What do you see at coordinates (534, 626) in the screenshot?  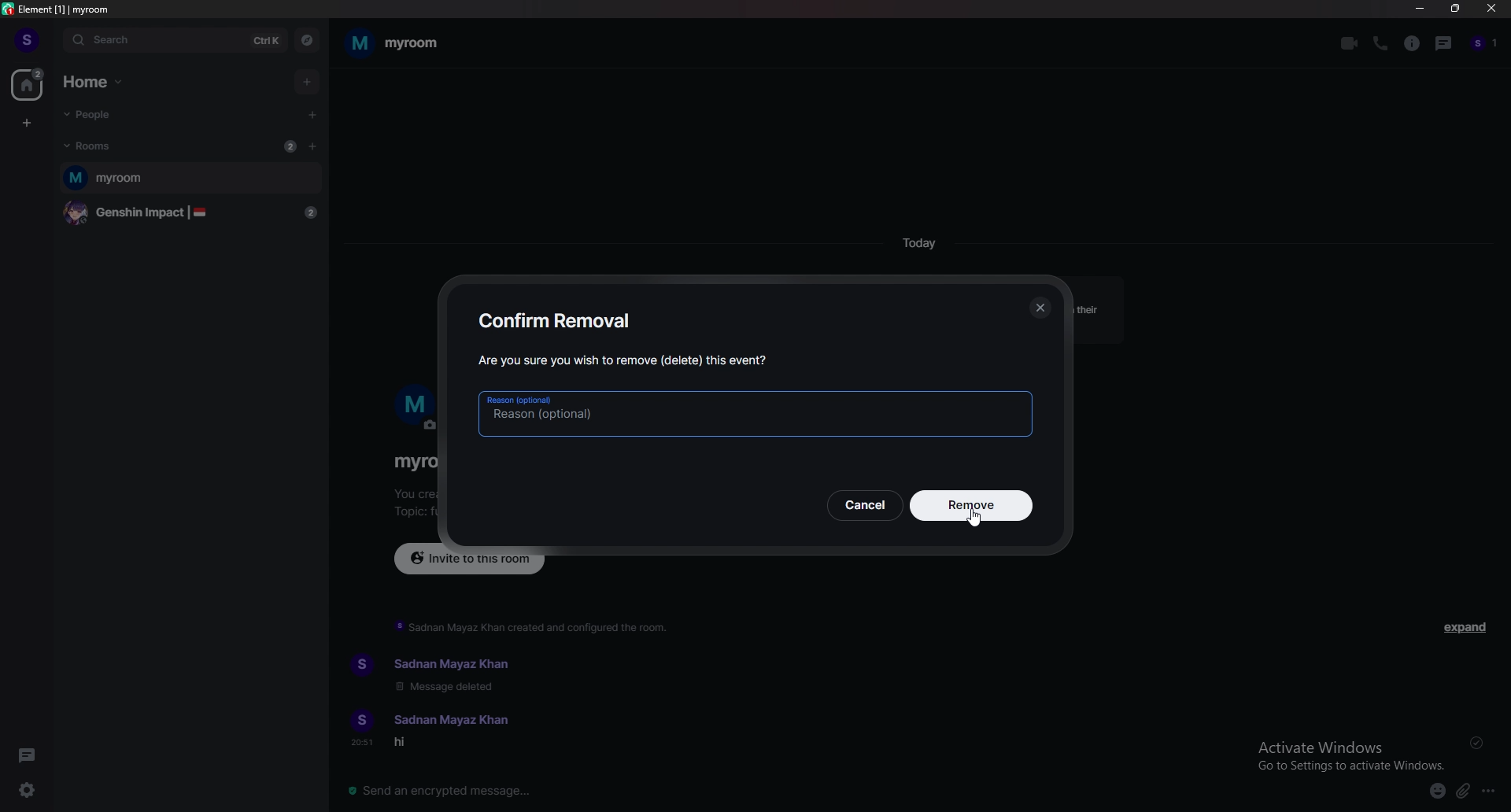 I see `sadnan mayaz khan created and configured the room.` at bounding box center [534, 626].